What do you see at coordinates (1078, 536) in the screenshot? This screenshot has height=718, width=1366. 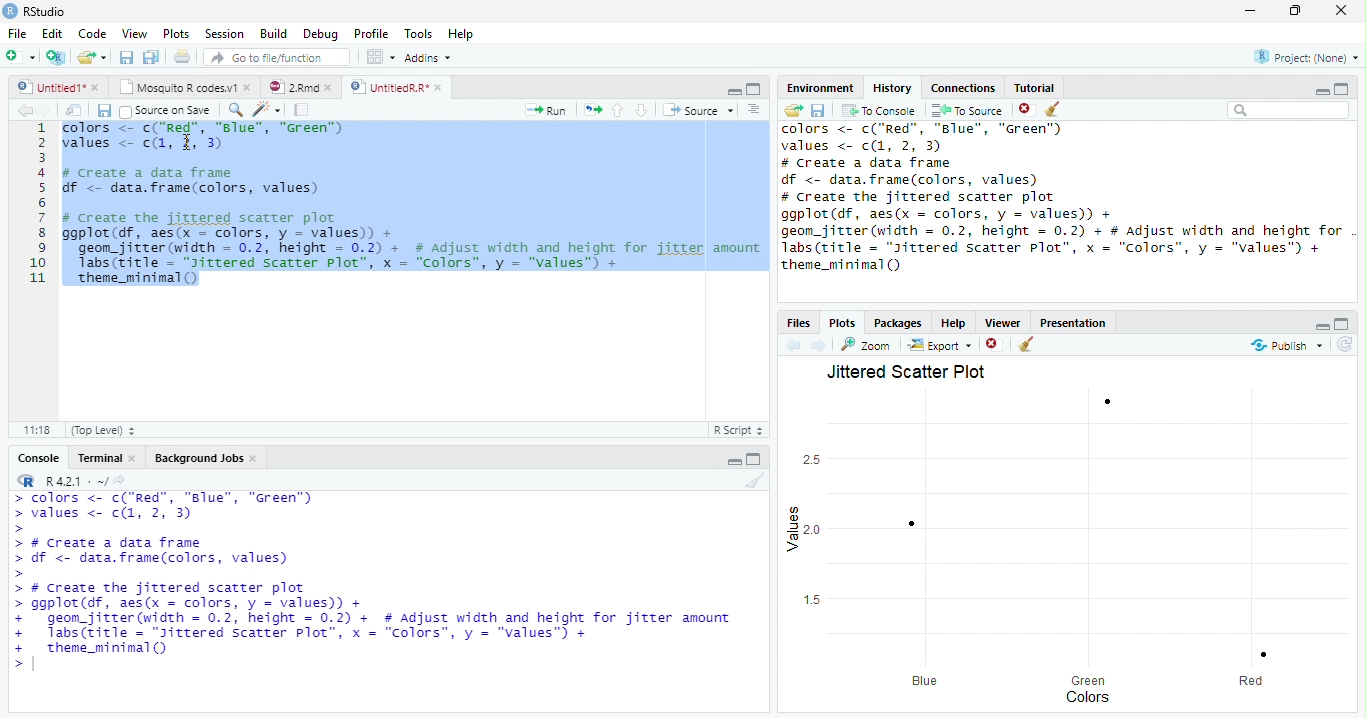 I see `Plot` at bounding box center [1078, 536].